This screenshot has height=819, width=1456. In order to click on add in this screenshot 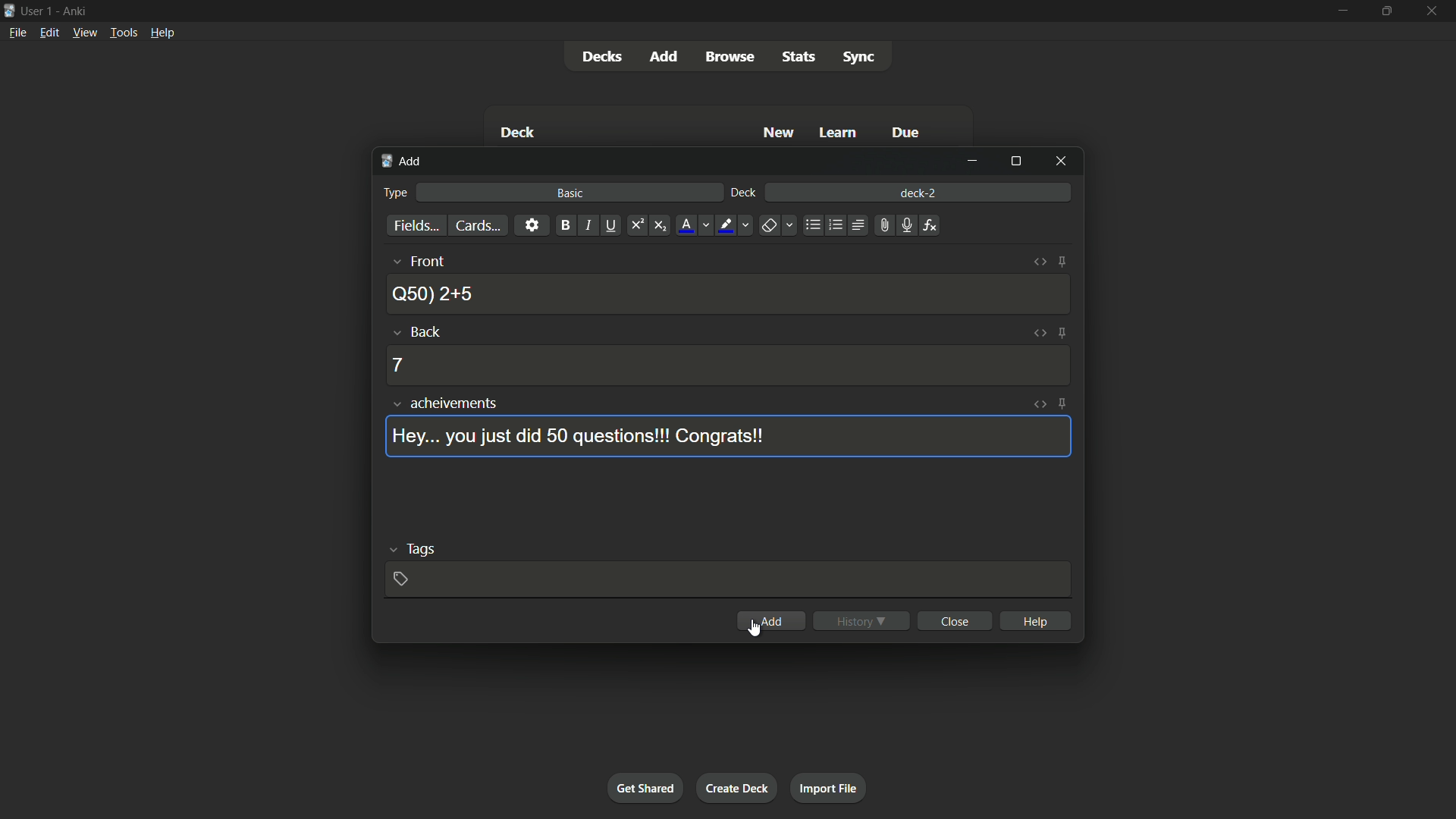, I will do `click(771, 620)`.